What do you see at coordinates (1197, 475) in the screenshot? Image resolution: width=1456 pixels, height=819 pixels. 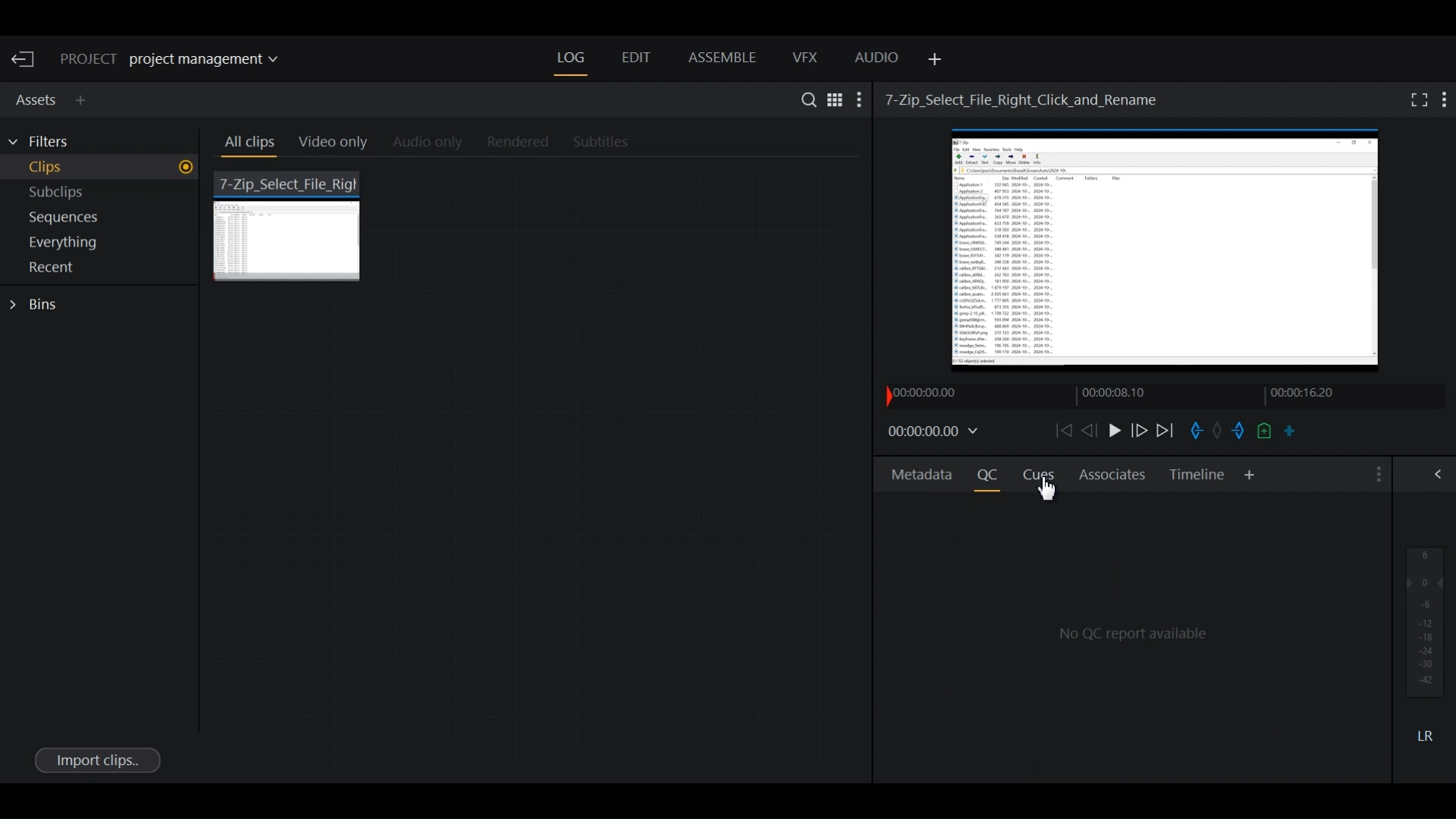 I see `Timeline` at bounding box center [1197, 475].